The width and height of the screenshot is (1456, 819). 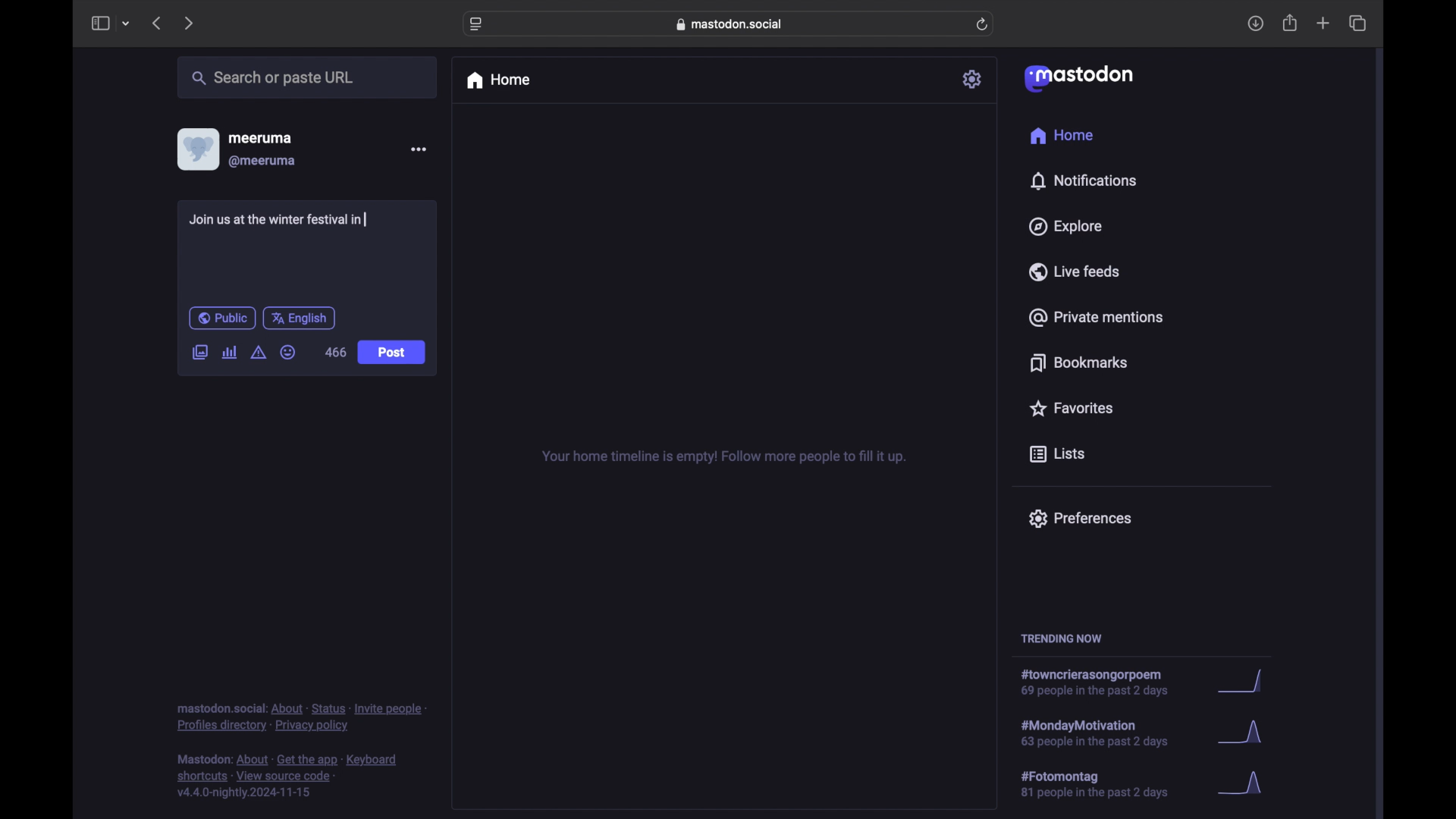 I want to click on new tab, so click(x=1323, y=23).